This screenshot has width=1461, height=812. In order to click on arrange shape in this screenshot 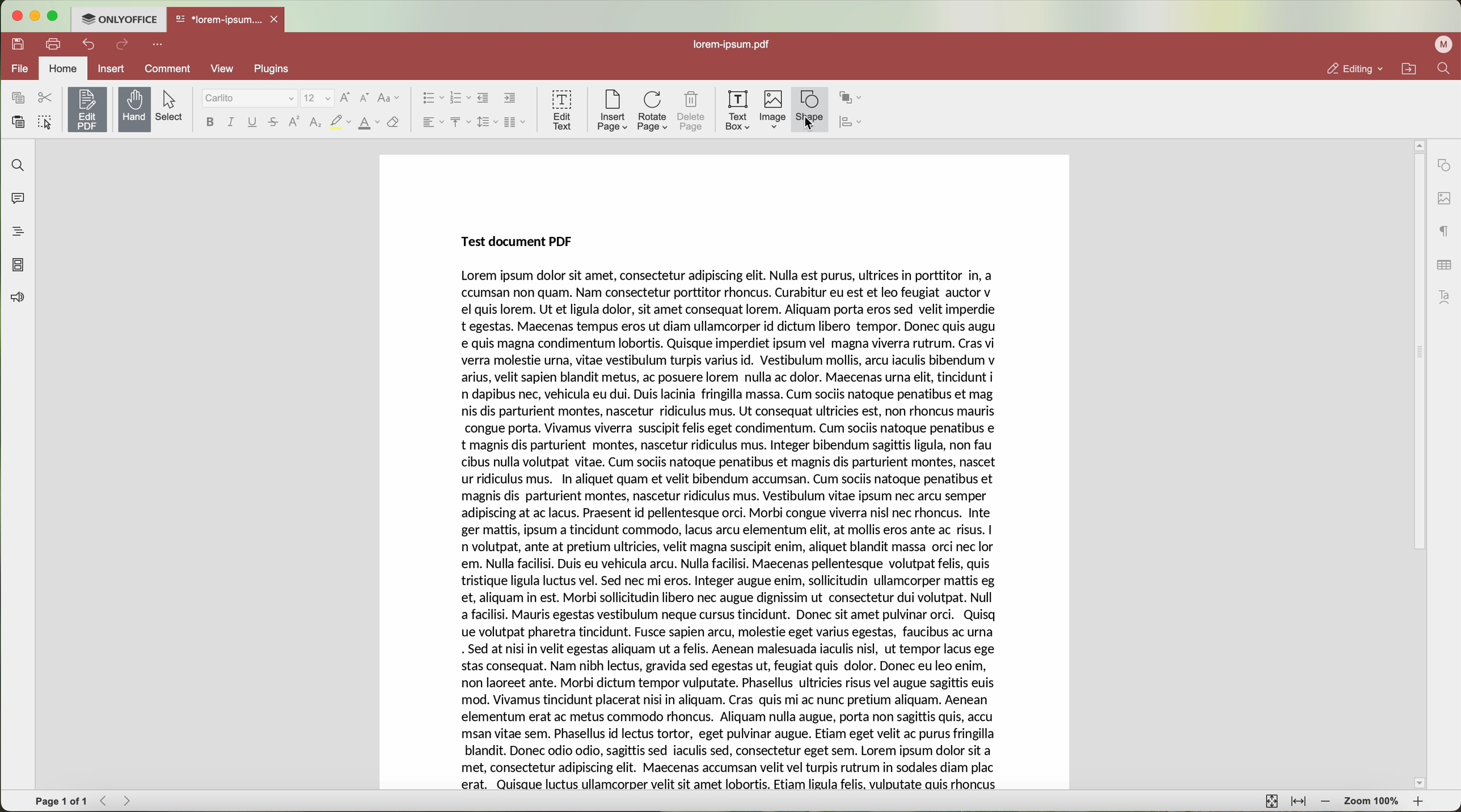, I will do `click(853, 99)`.